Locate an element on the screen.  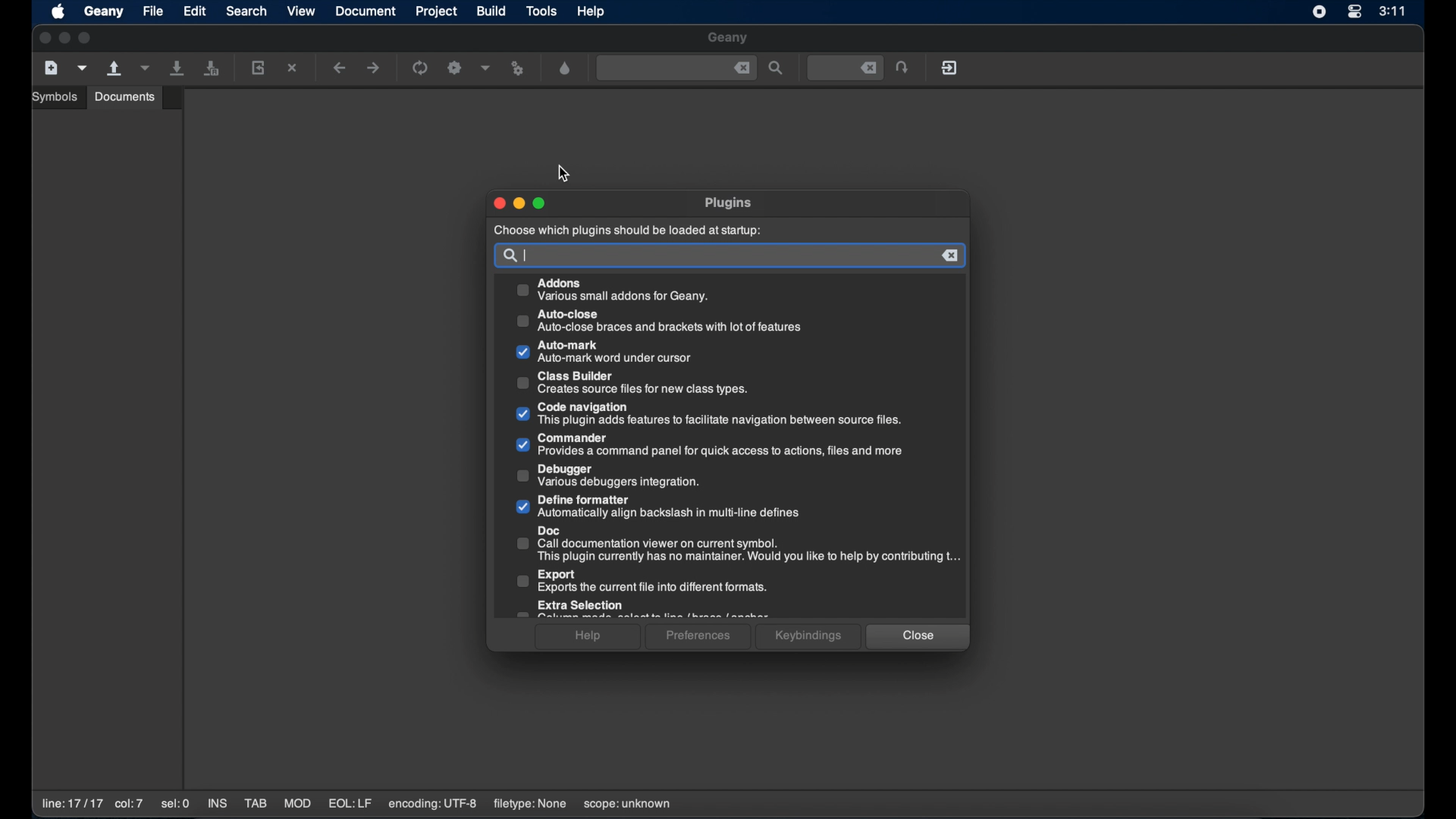
Extra Selection is located at coordinates (675, 610).